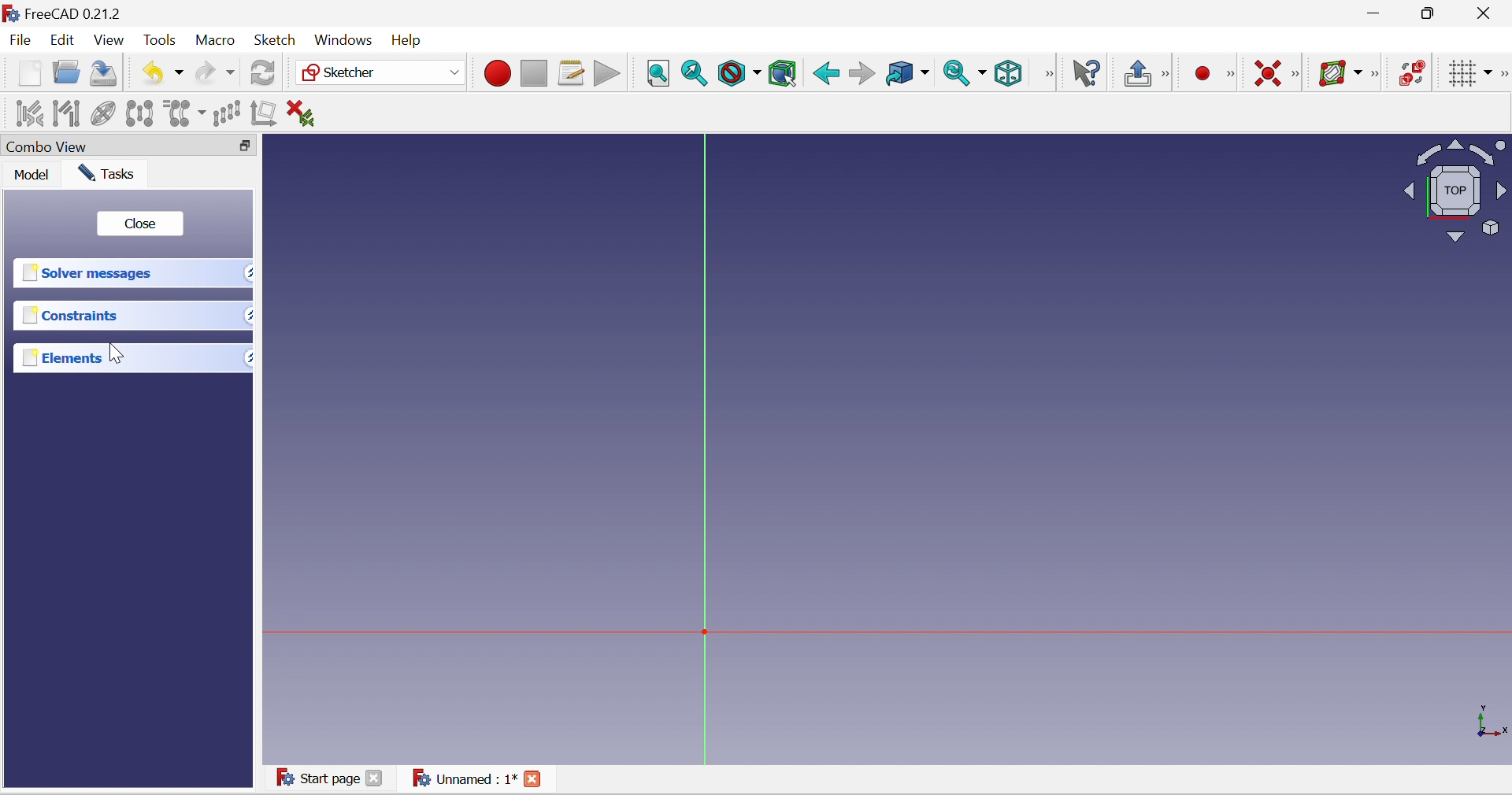 This screenshot has height=795, width=1512. Describe the element at coordinates (1413, 72) in the screenshot. I see `Switch virtual space` at that location.